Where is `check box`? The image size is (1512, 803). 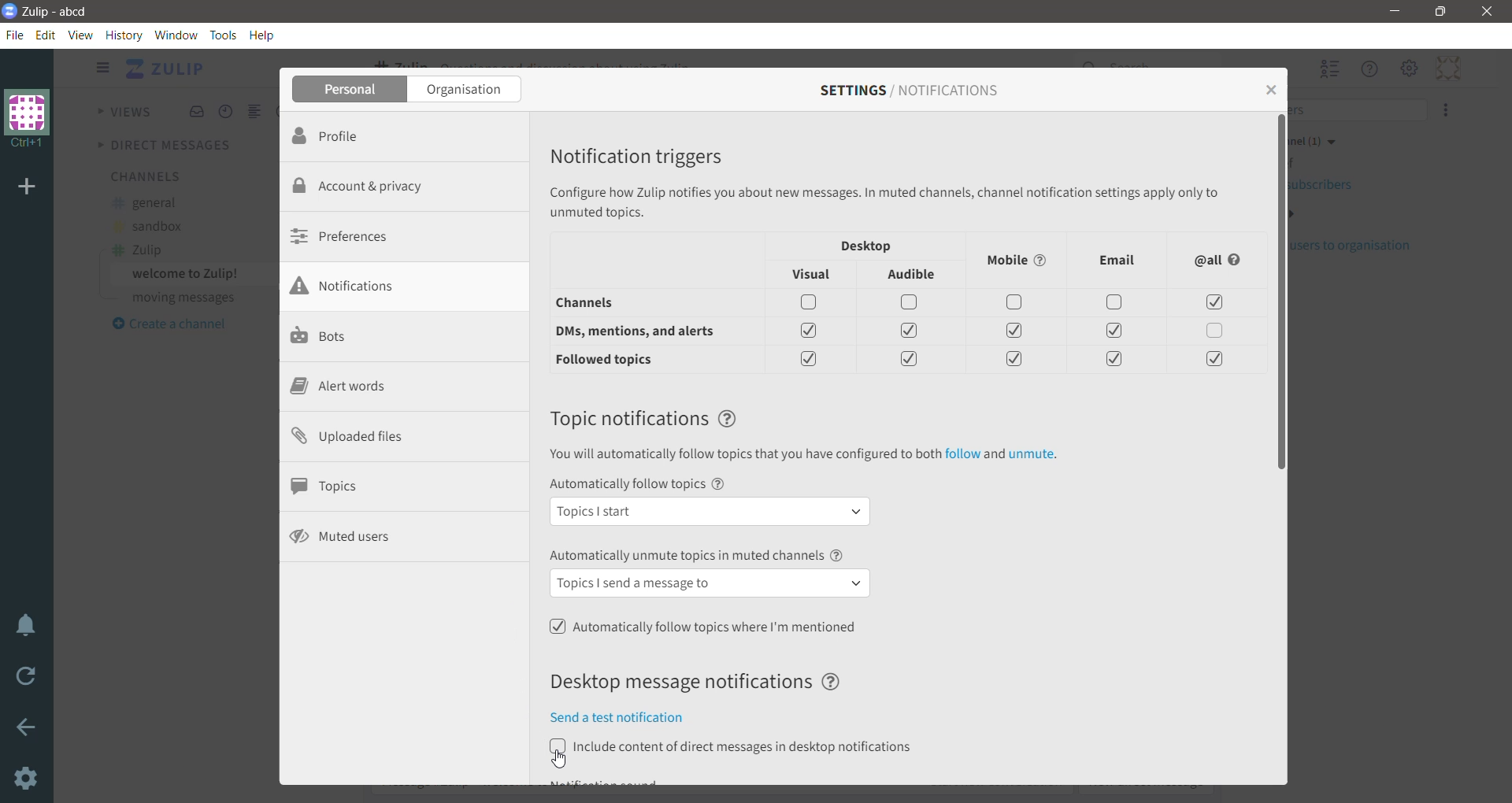 check box is located at coordinates (1213, 304).